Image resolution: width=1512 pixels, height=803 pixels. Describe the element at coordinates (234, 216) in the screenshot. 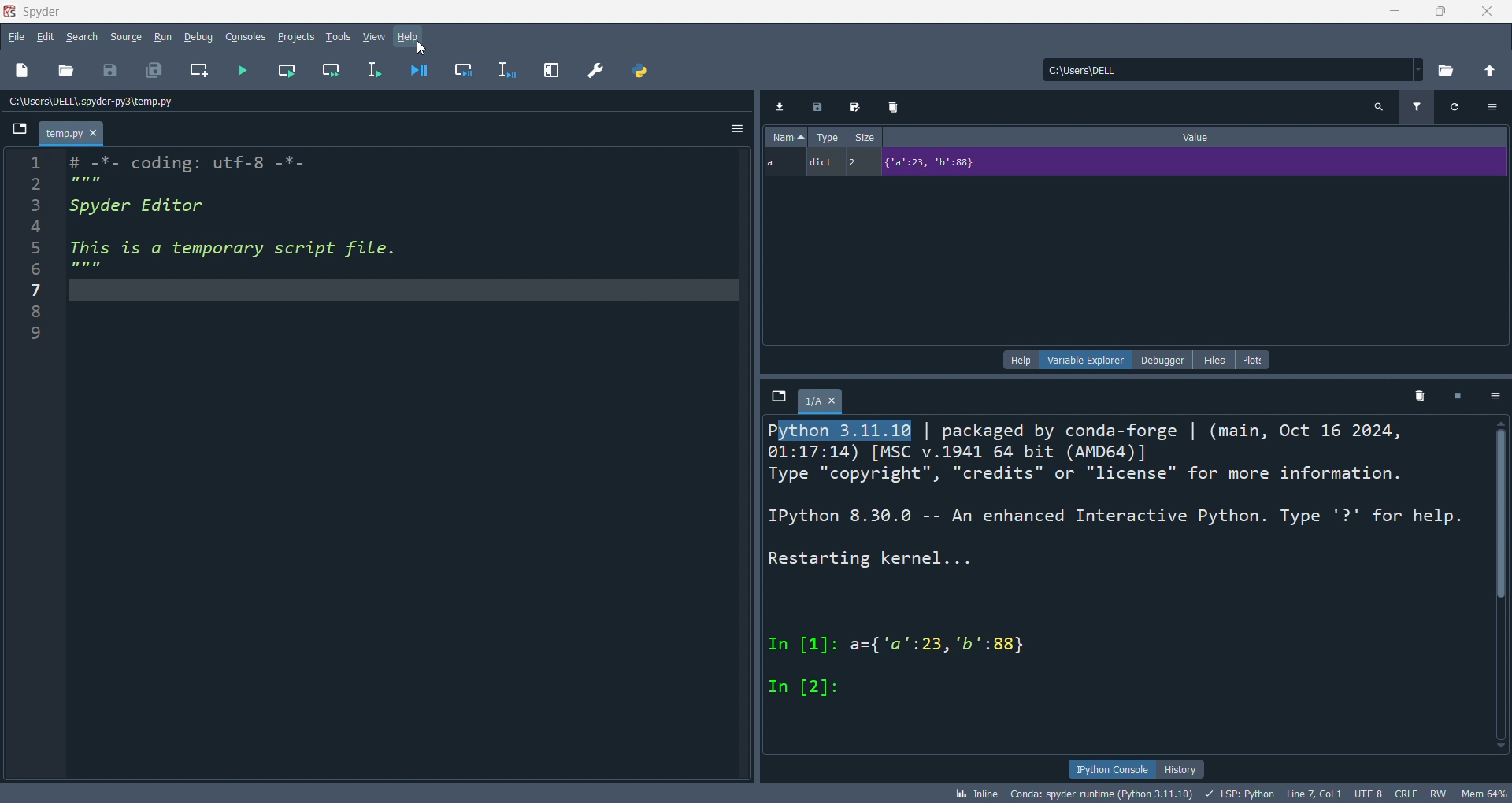

I see `coding: utf-8 -*-Spyder Editors This is a temporary script file.` at that location.